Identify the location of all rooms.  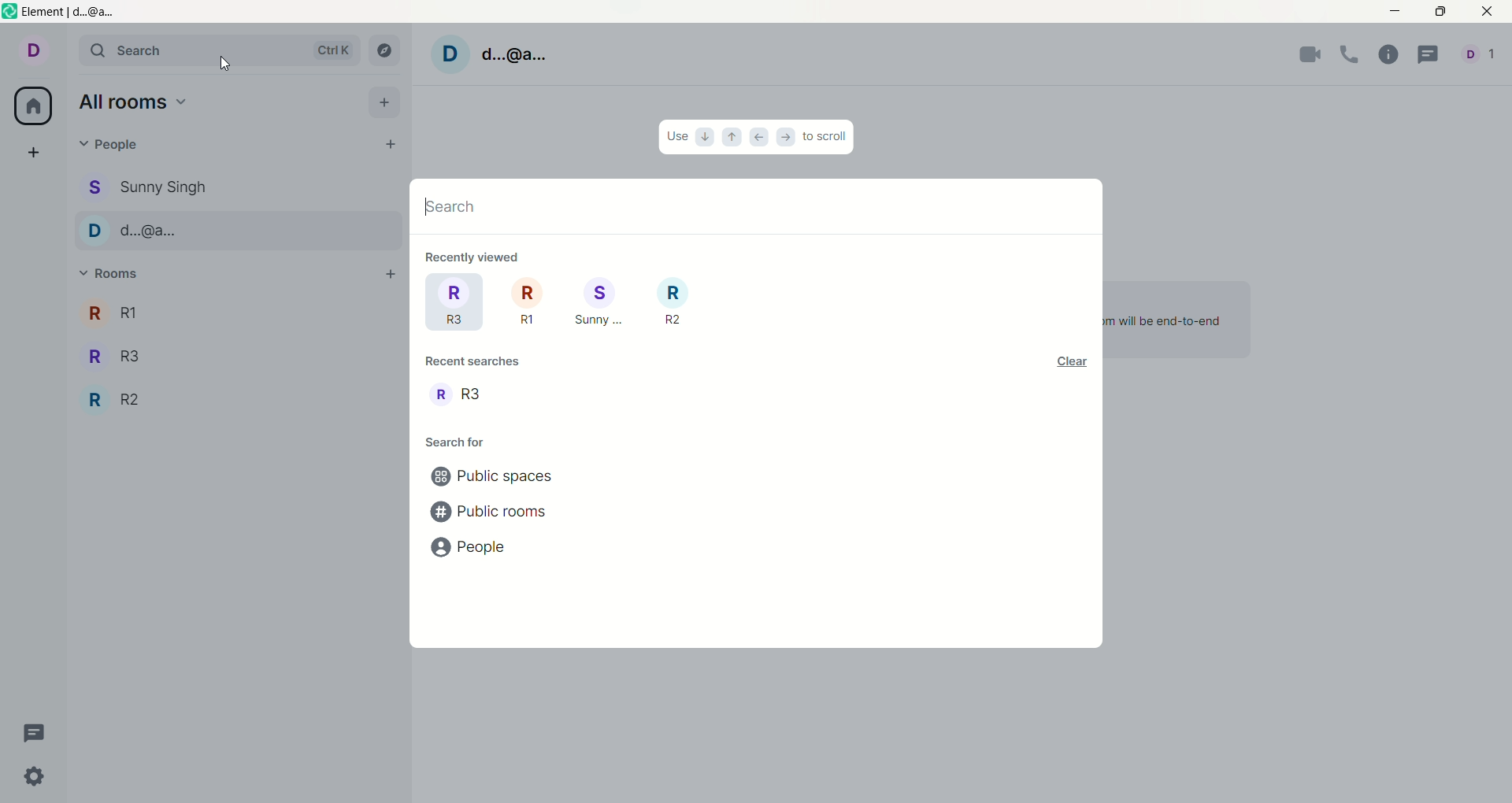
(34, 105).